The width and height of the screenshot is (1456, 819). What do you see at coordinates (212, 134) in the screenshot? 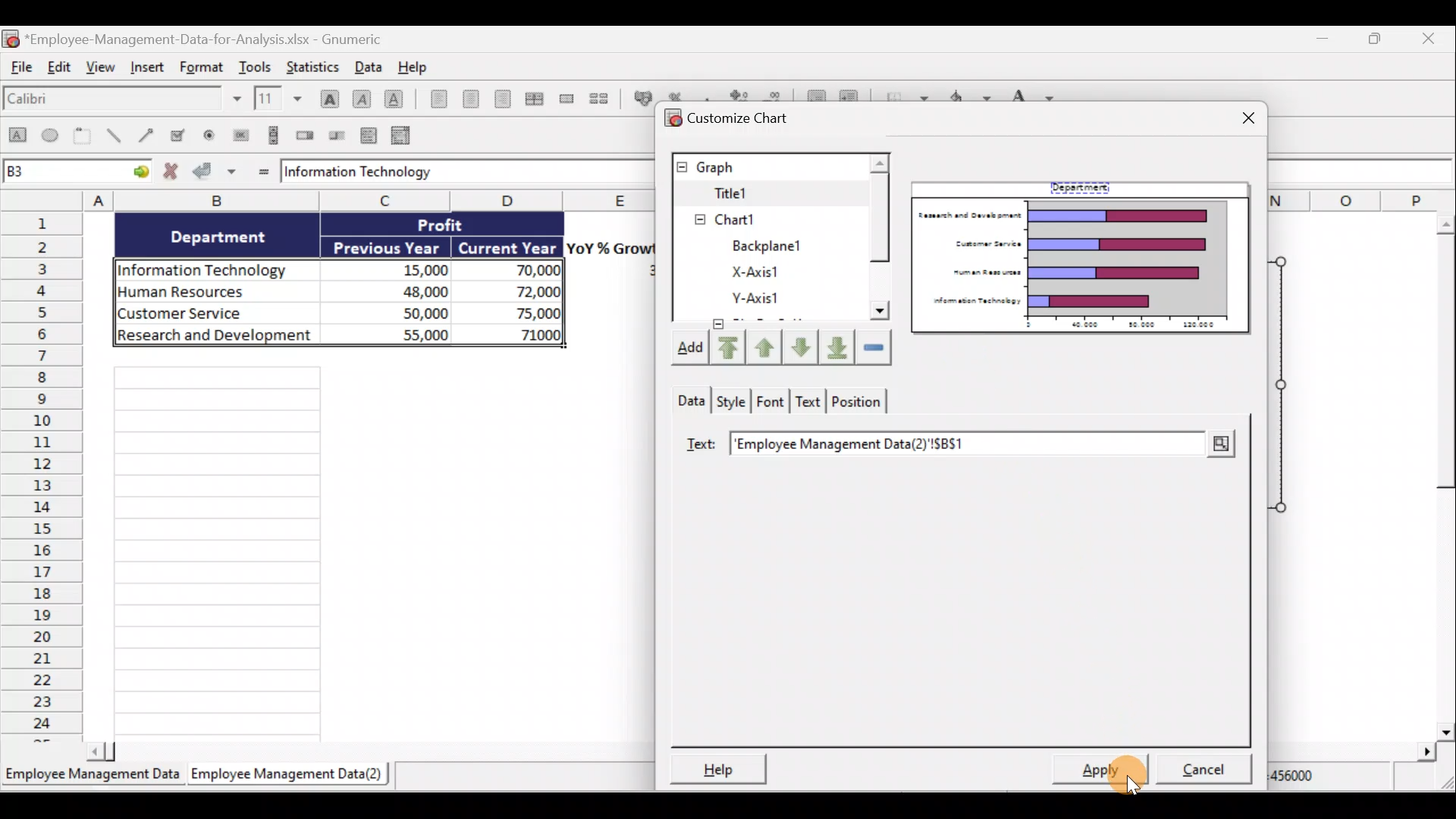
I see `Create a radio button` at bounding box center [212, 134].